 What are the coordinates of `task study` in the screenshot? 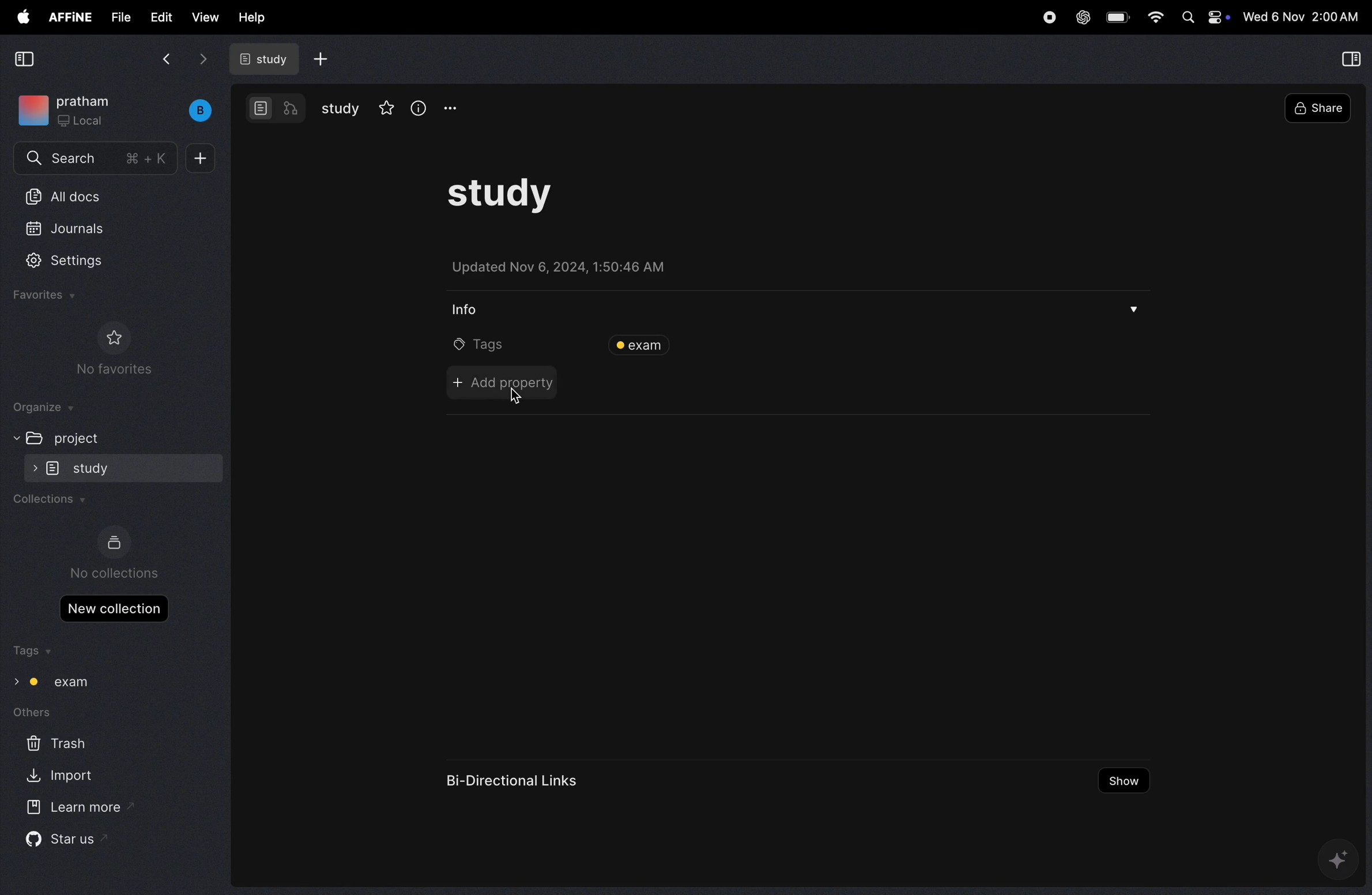 It's located at (503, 194).